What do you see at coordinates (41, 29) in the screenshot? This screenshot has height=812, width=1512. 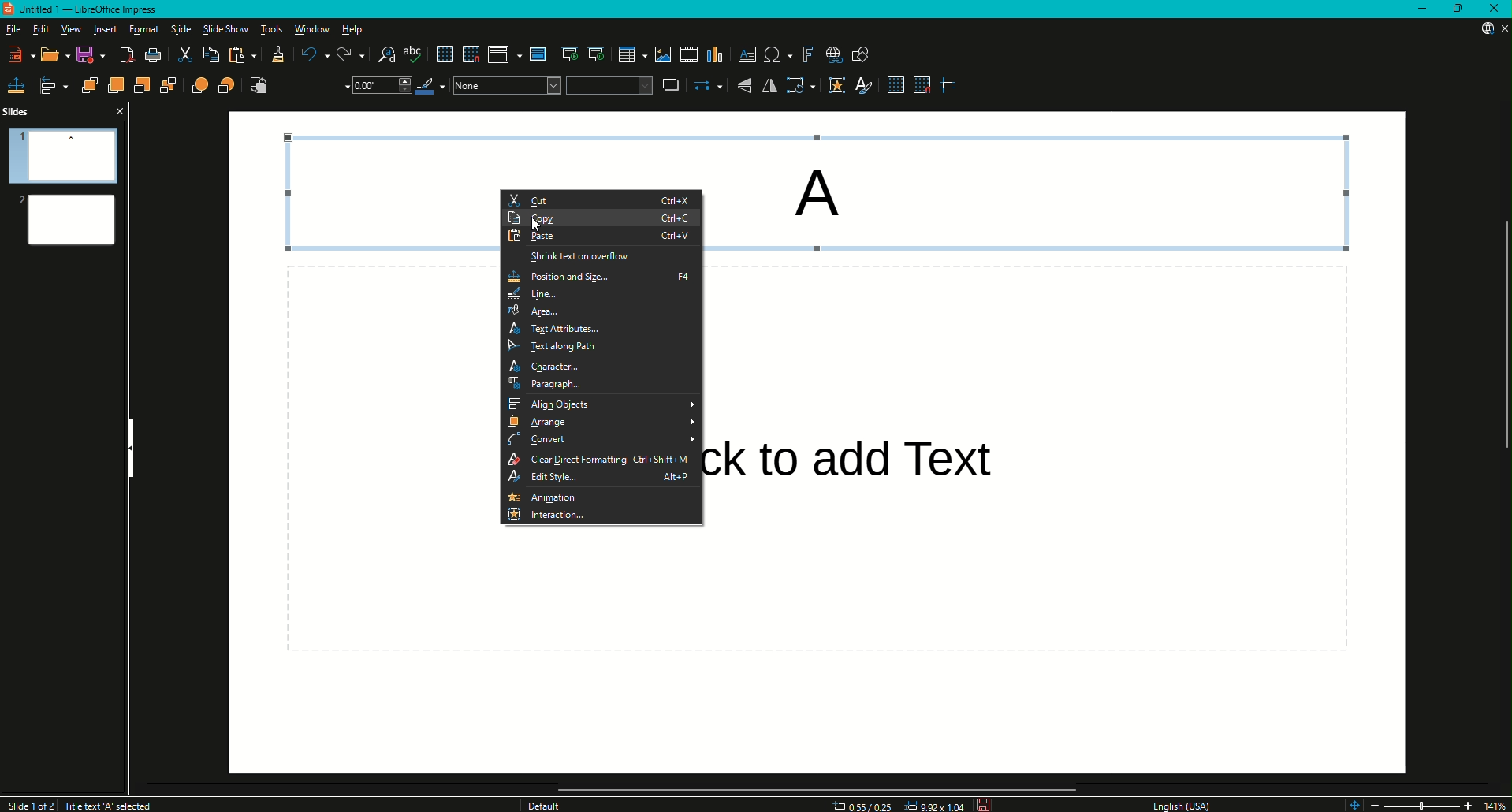 I see `Edit` at bounding box center [41, 29].